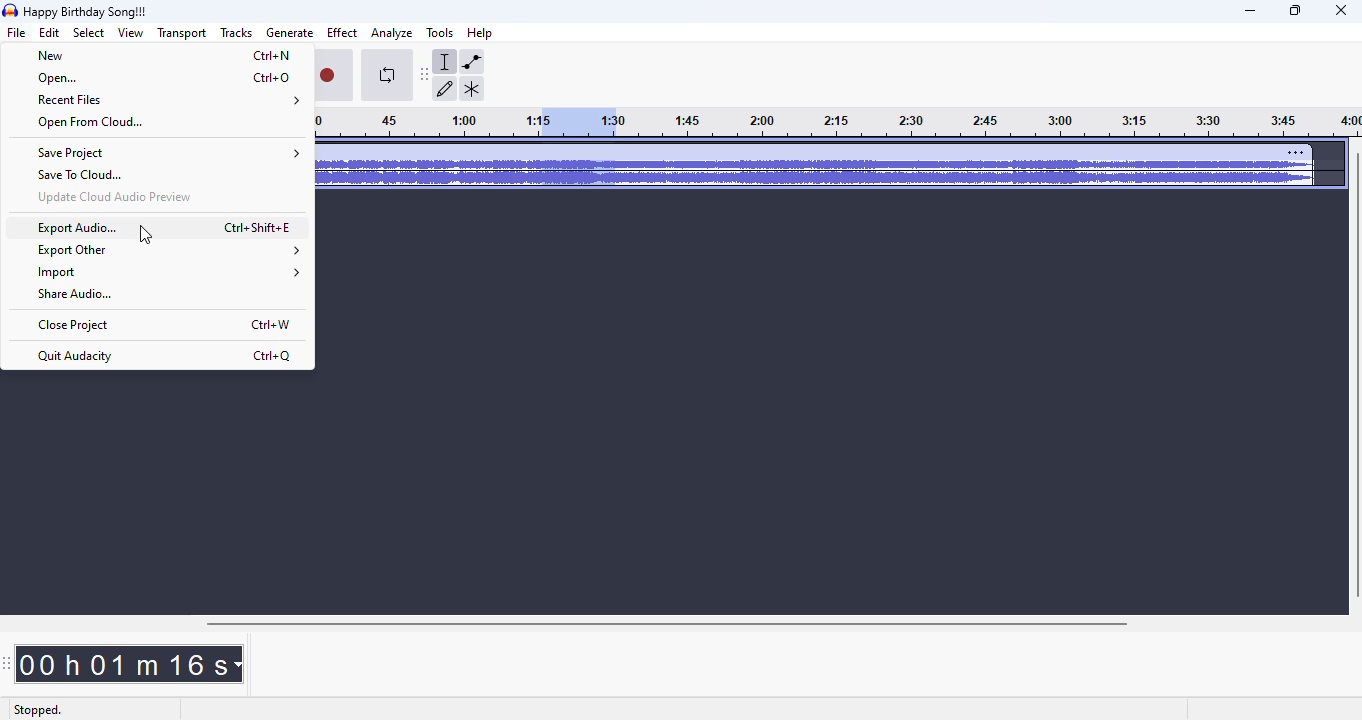 This screenshot has height=720, width=1362. Describe the element at coordinates (424, 123) in the screenshot. I see `Timeline` at that location.